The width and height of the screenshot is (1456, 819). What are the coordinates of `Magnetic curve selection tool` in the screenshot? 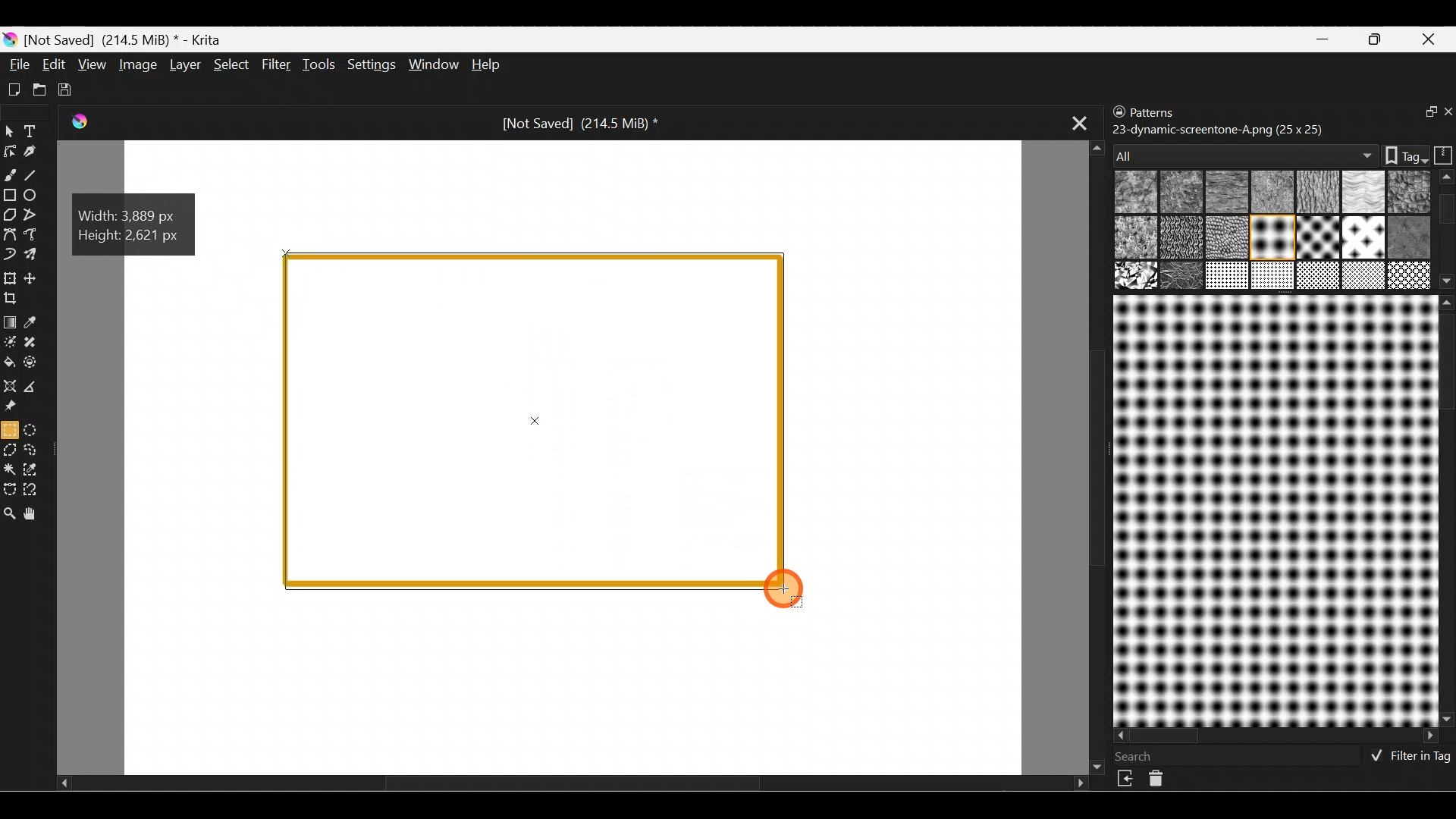 It's located at (41, 490).